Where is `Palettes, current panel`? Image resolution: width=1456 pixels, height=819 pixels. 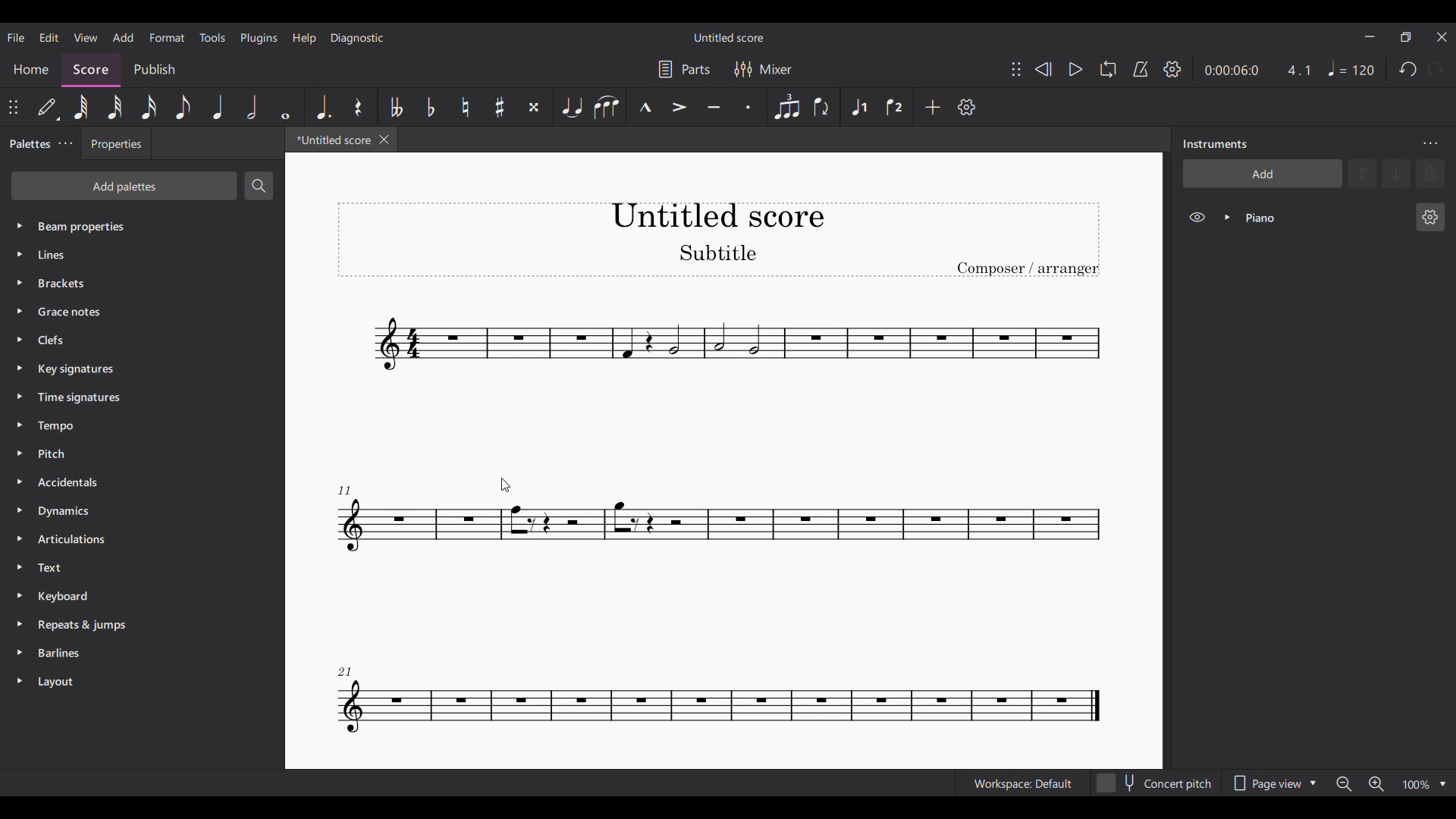
Palettes, current panel is located at coordinates (27, 146).